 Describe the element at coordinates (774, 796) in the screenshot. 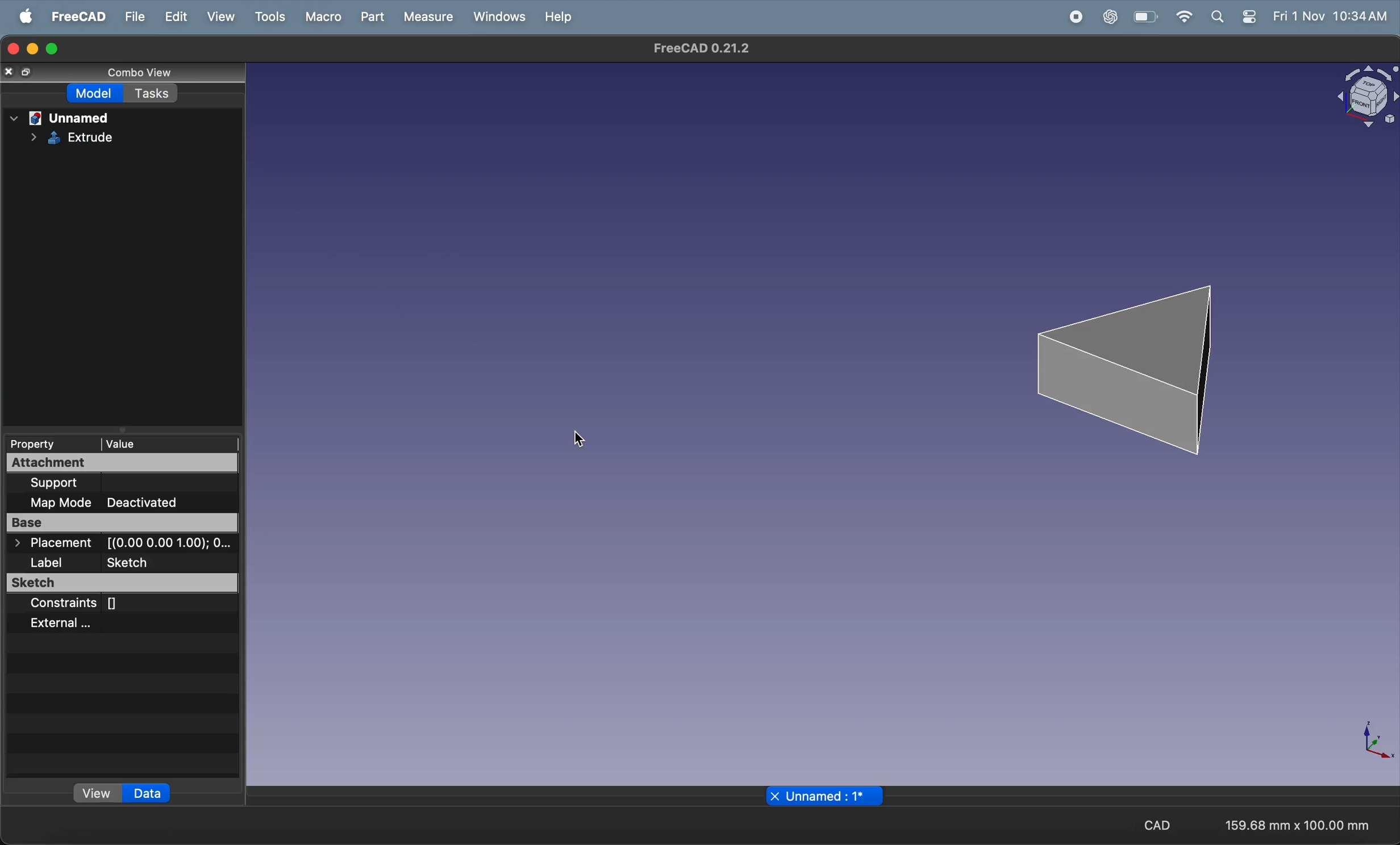

I see `close` at that location.